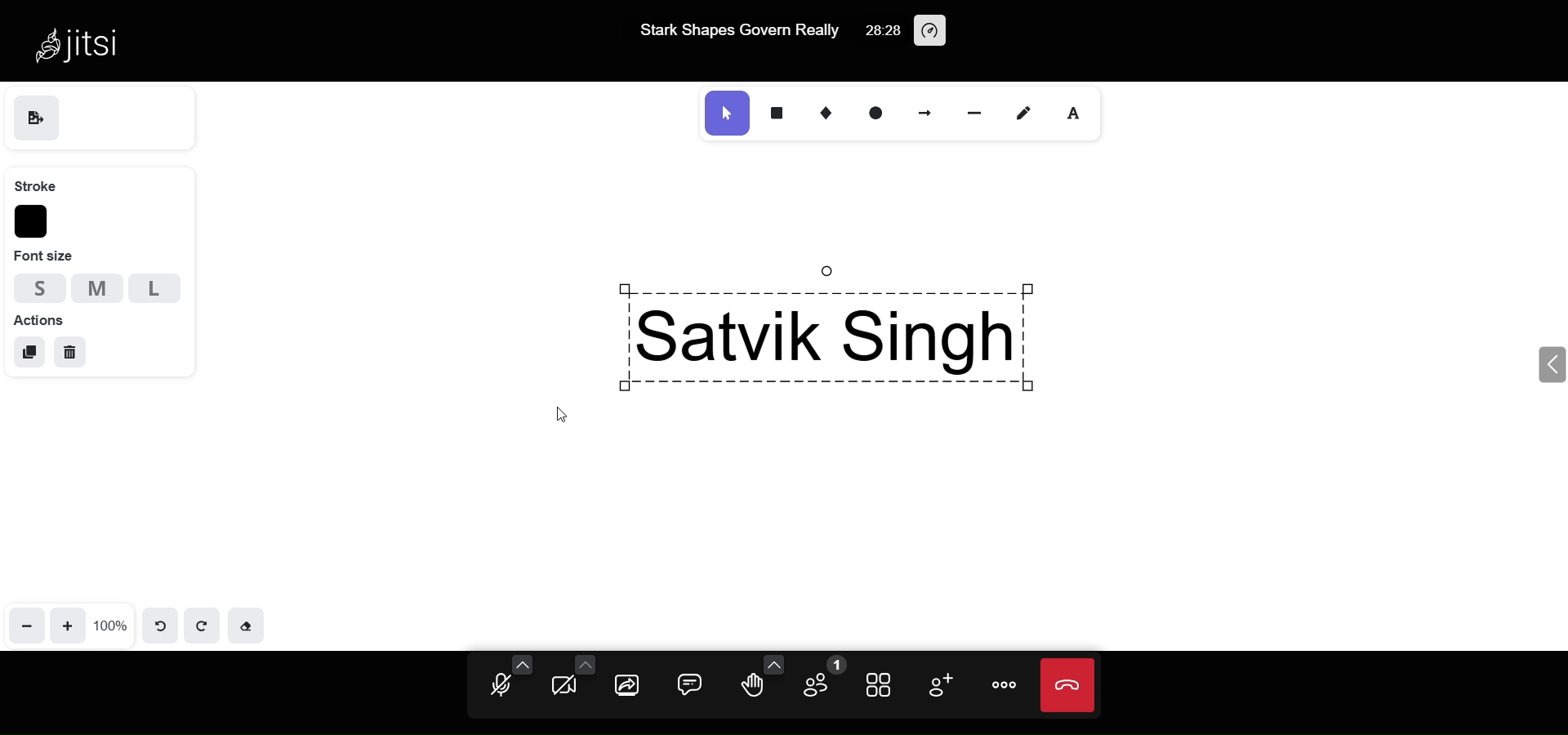 This screenshot has height=735, width=1568. Describe the element at coordinates (941, 684) in the screenshot. I see `invite people` at that location.